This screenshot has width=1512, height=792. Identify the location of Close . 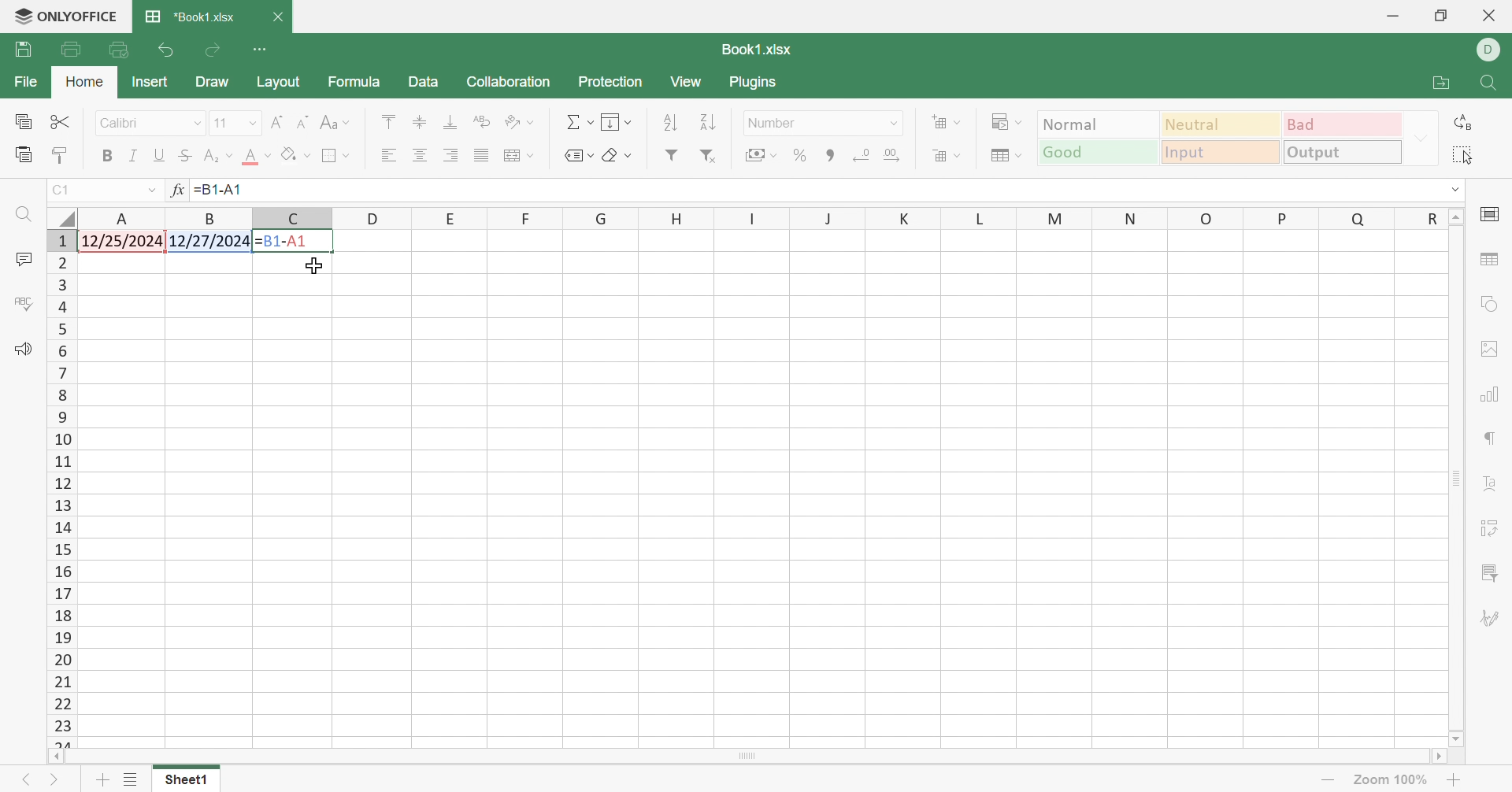
(1495, 16).